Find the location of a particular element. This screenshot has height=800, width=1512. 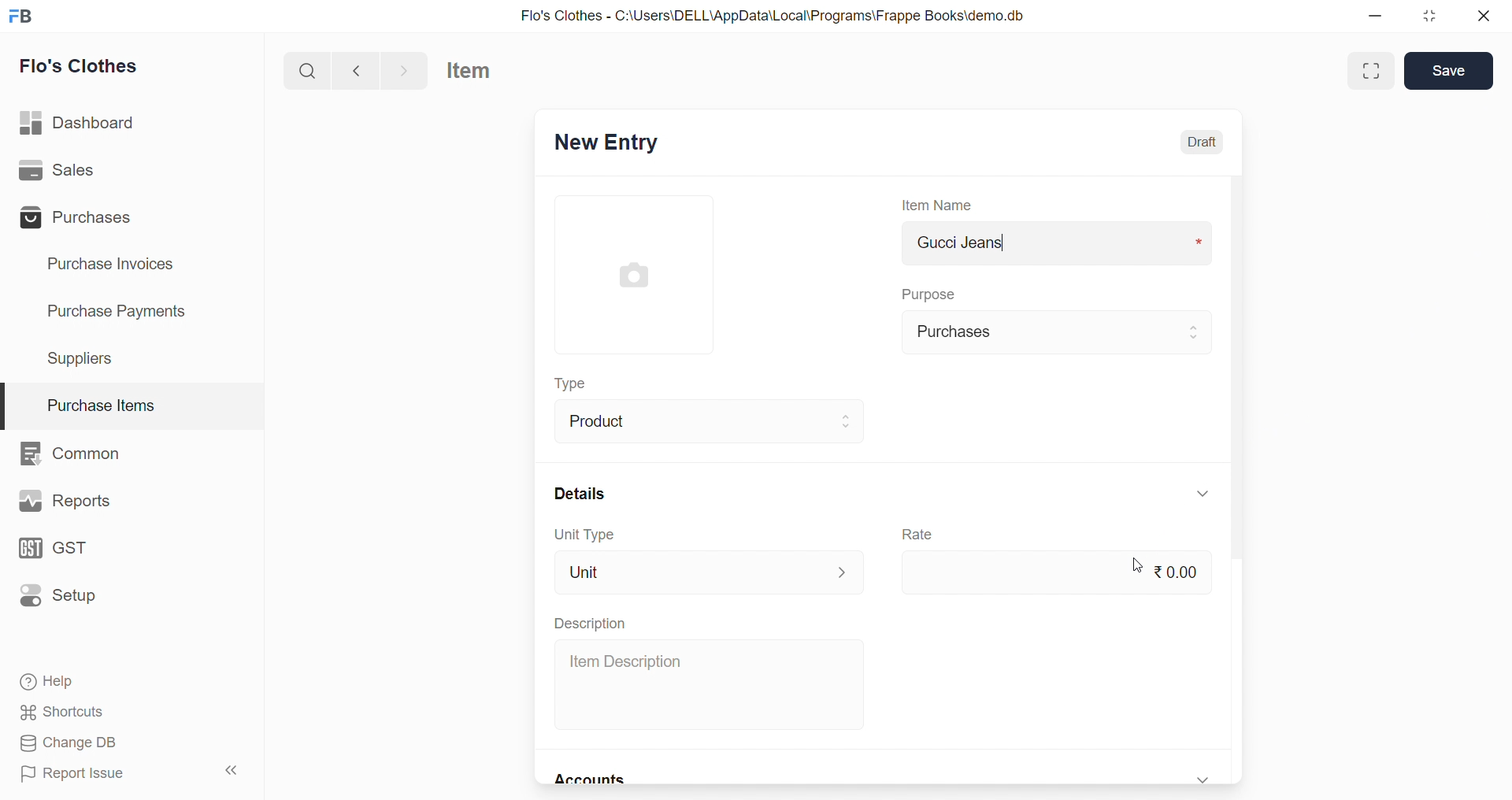

Item is located at coordinates (480, 71).